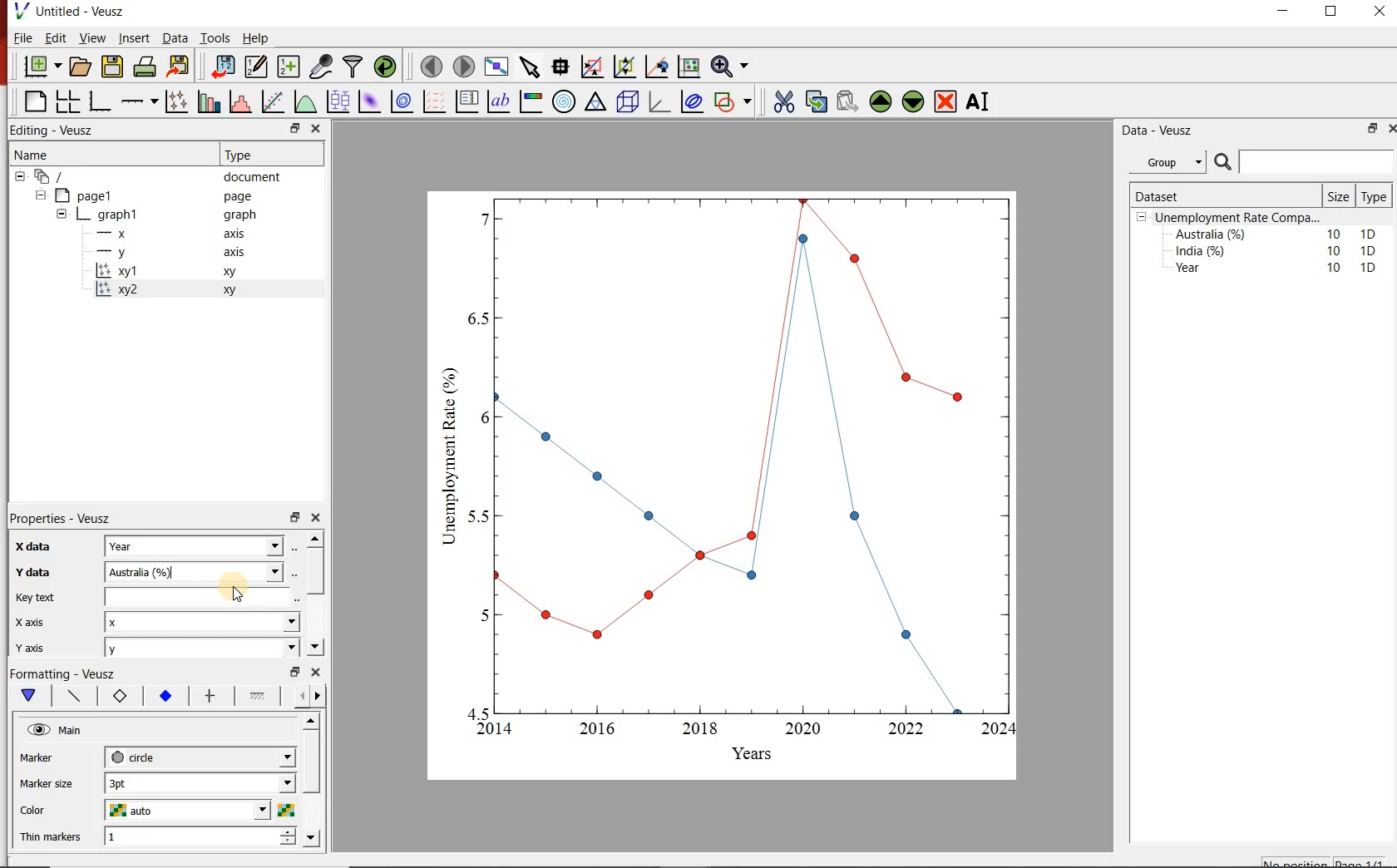  I want to click on plot vector field, so click(433, 101).